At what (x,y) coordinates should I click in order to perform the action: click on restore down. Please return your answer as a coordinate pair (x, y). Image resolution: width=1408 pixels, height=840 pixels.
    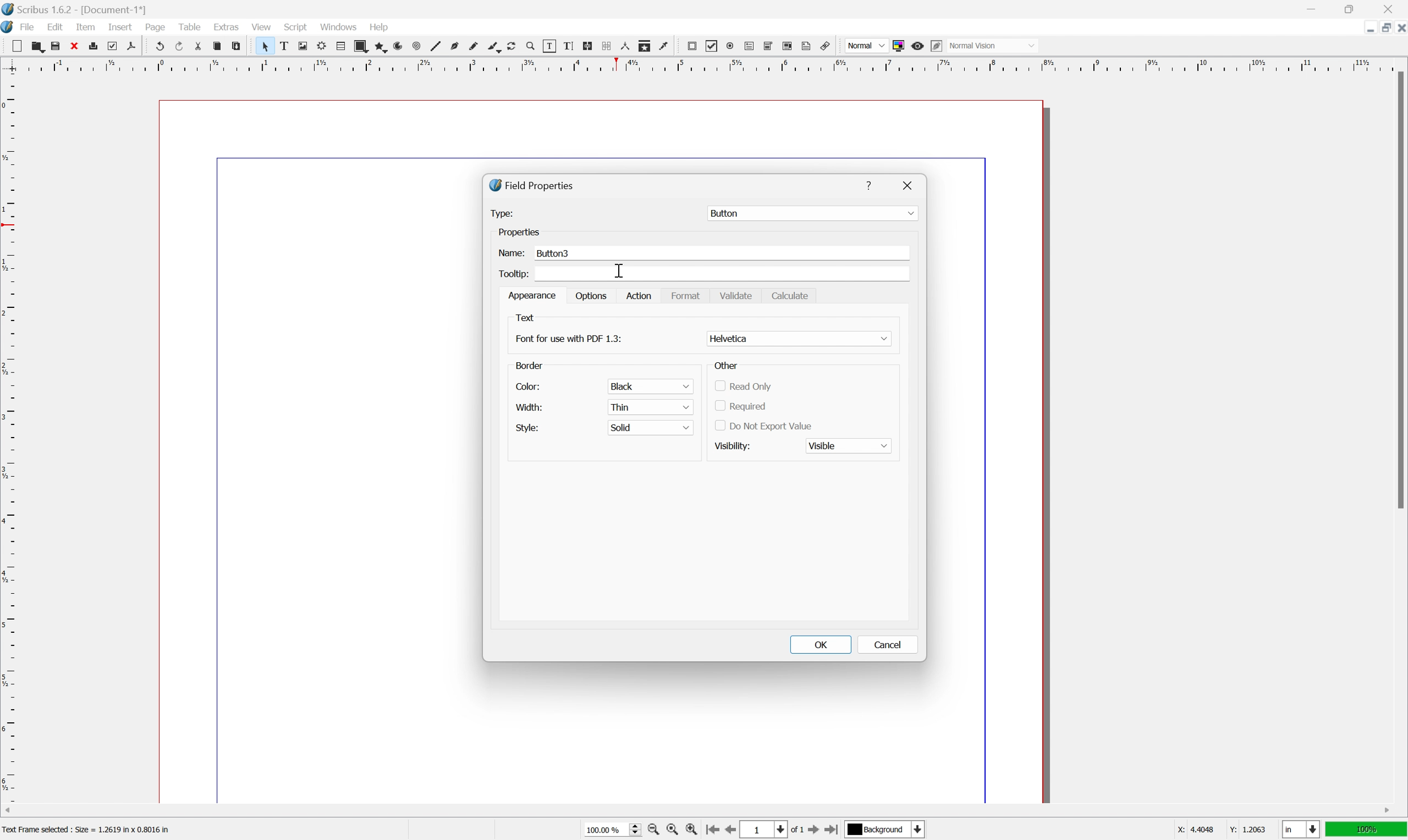
    Looking at the image, I should click on (1383, 27).